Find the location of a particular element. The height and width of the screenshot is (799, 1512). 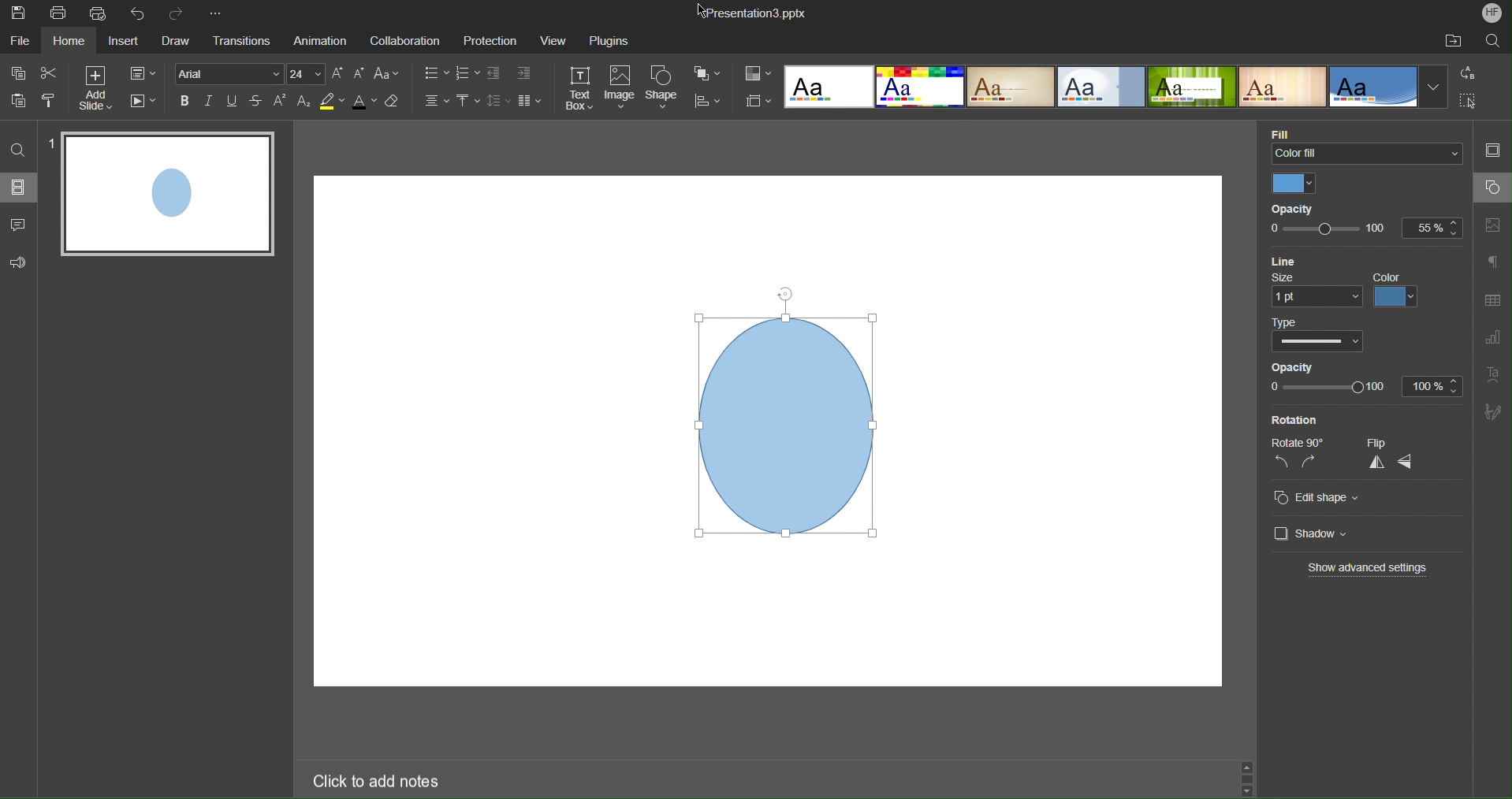

Arial is located at coordinates (231, 73).